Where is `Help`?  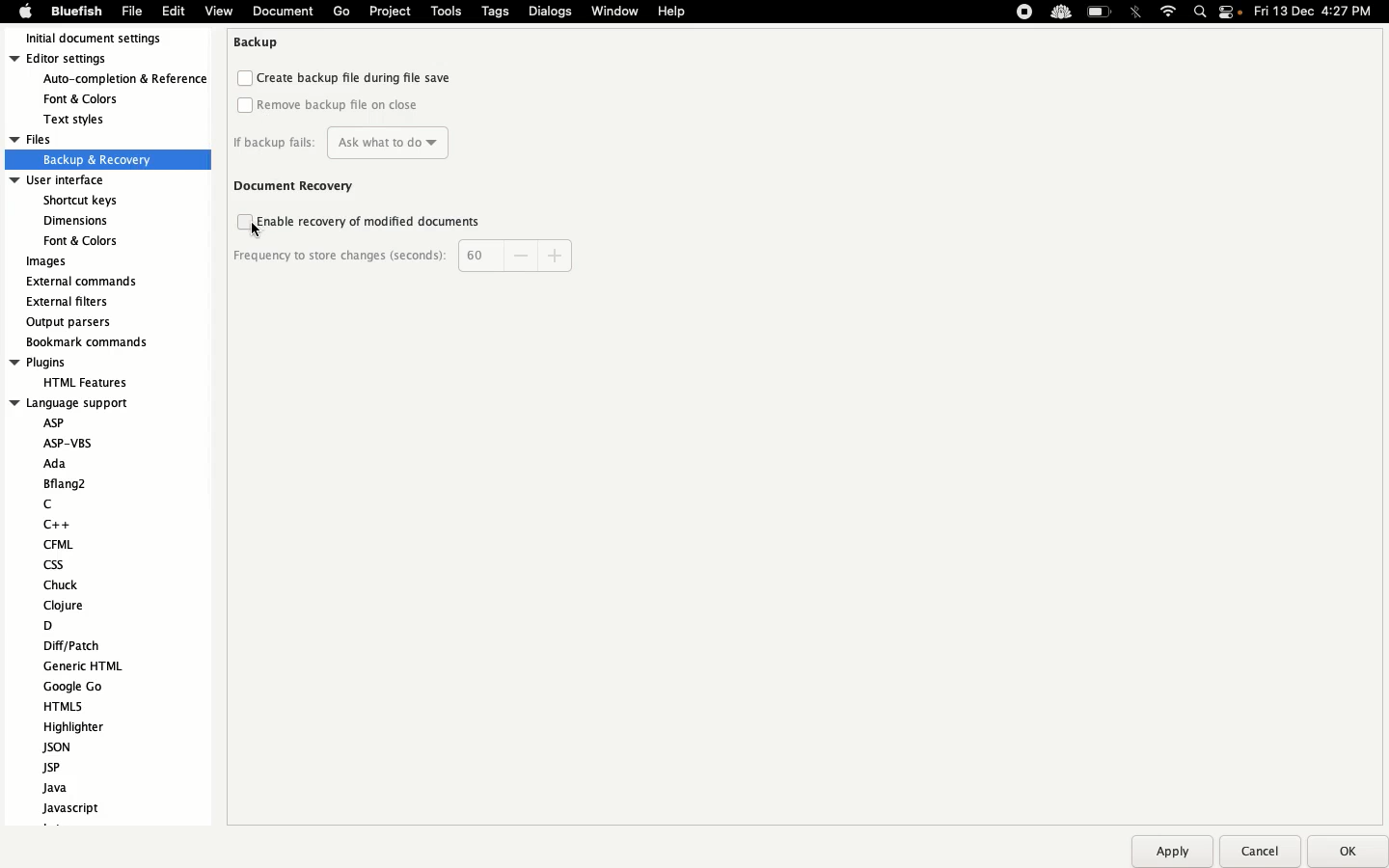 Help is located at coordinates (670, 13).